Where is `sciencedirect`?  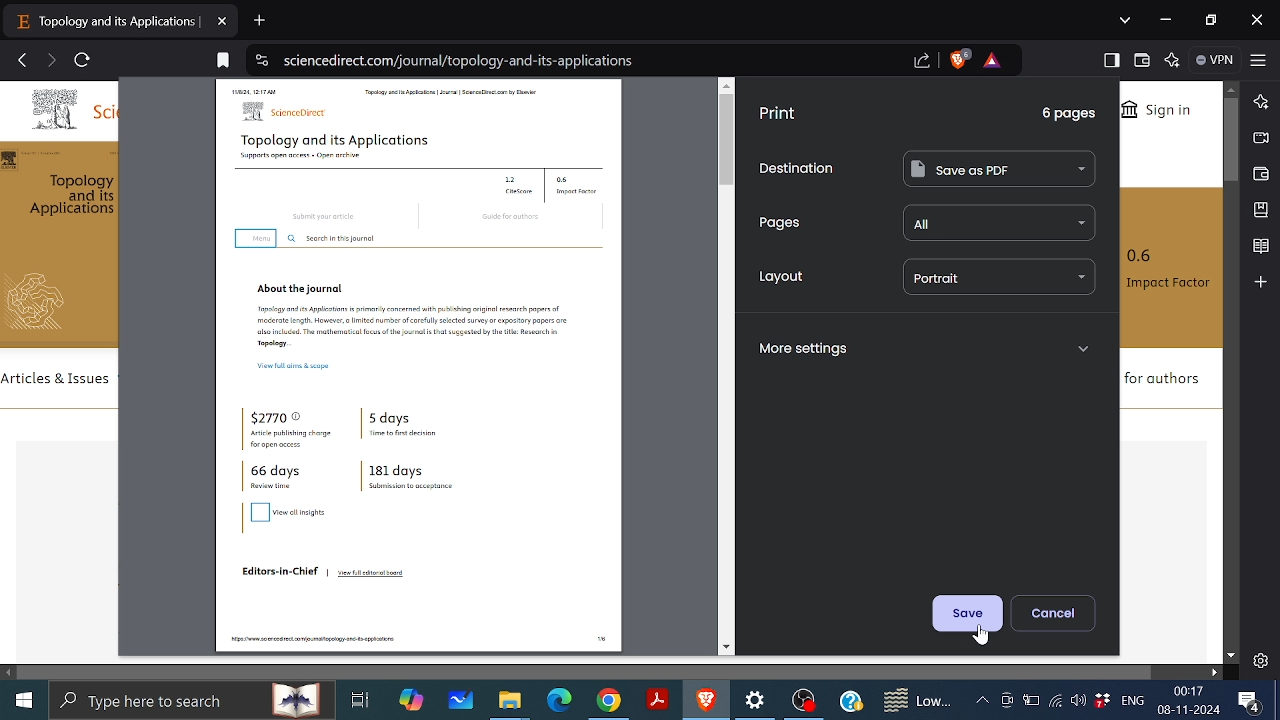
sciencedirect is located at coordinates (285, 103).